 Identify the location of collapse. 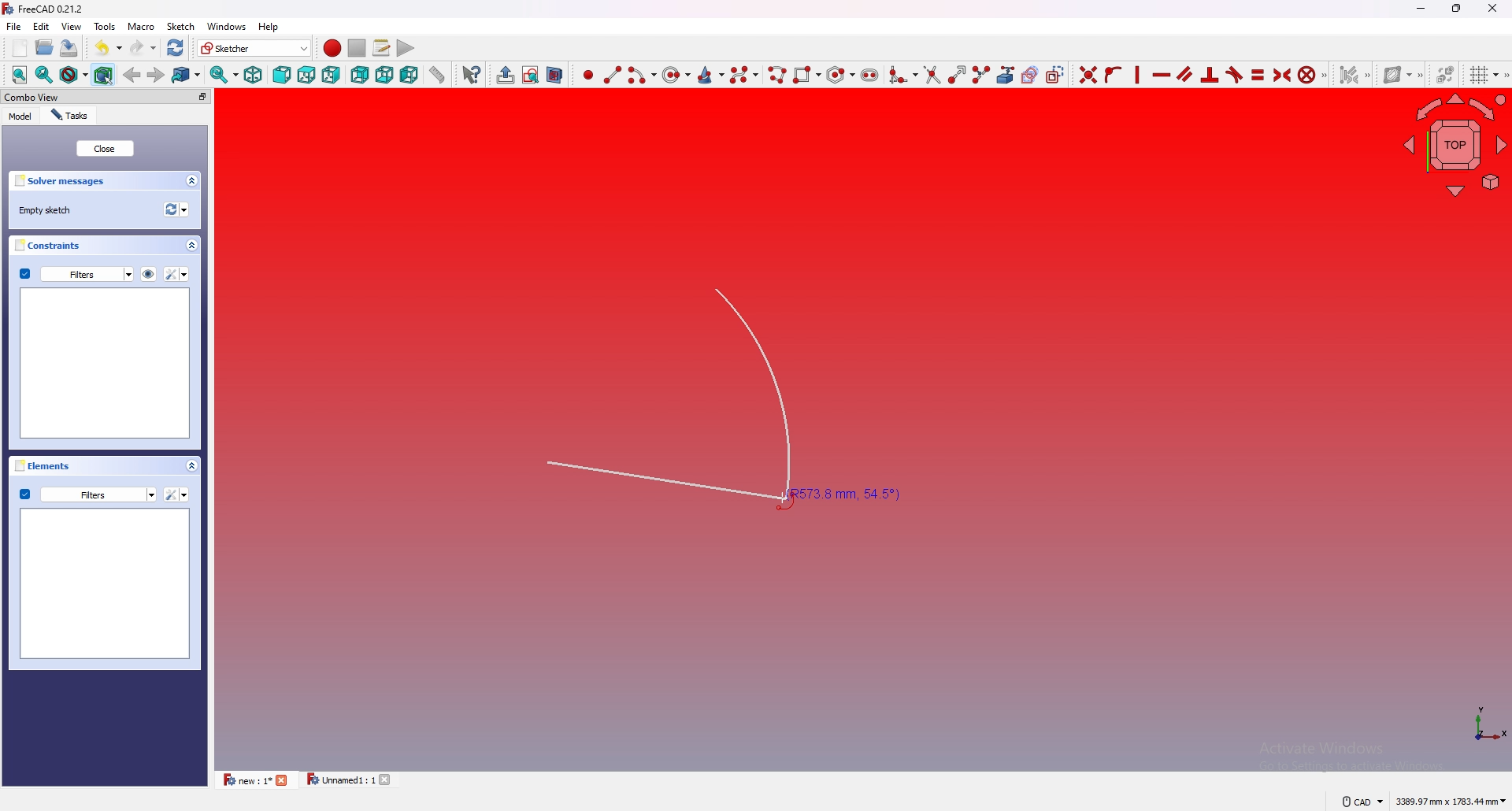
(192, 246).